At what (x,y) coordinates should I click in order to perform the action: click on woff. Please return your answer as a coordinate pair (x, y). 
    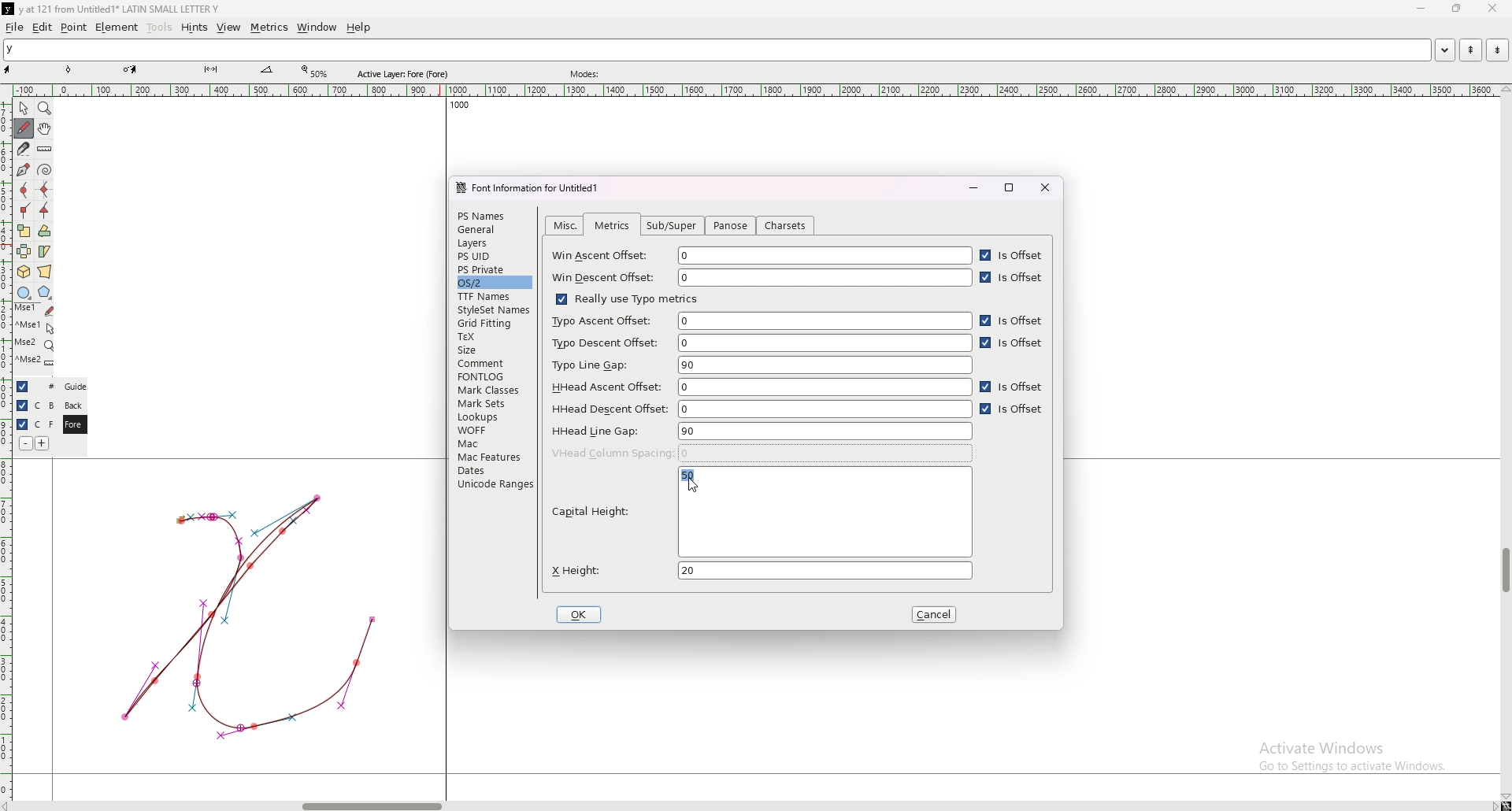
    Looking at the image, I should click on (492, 430).